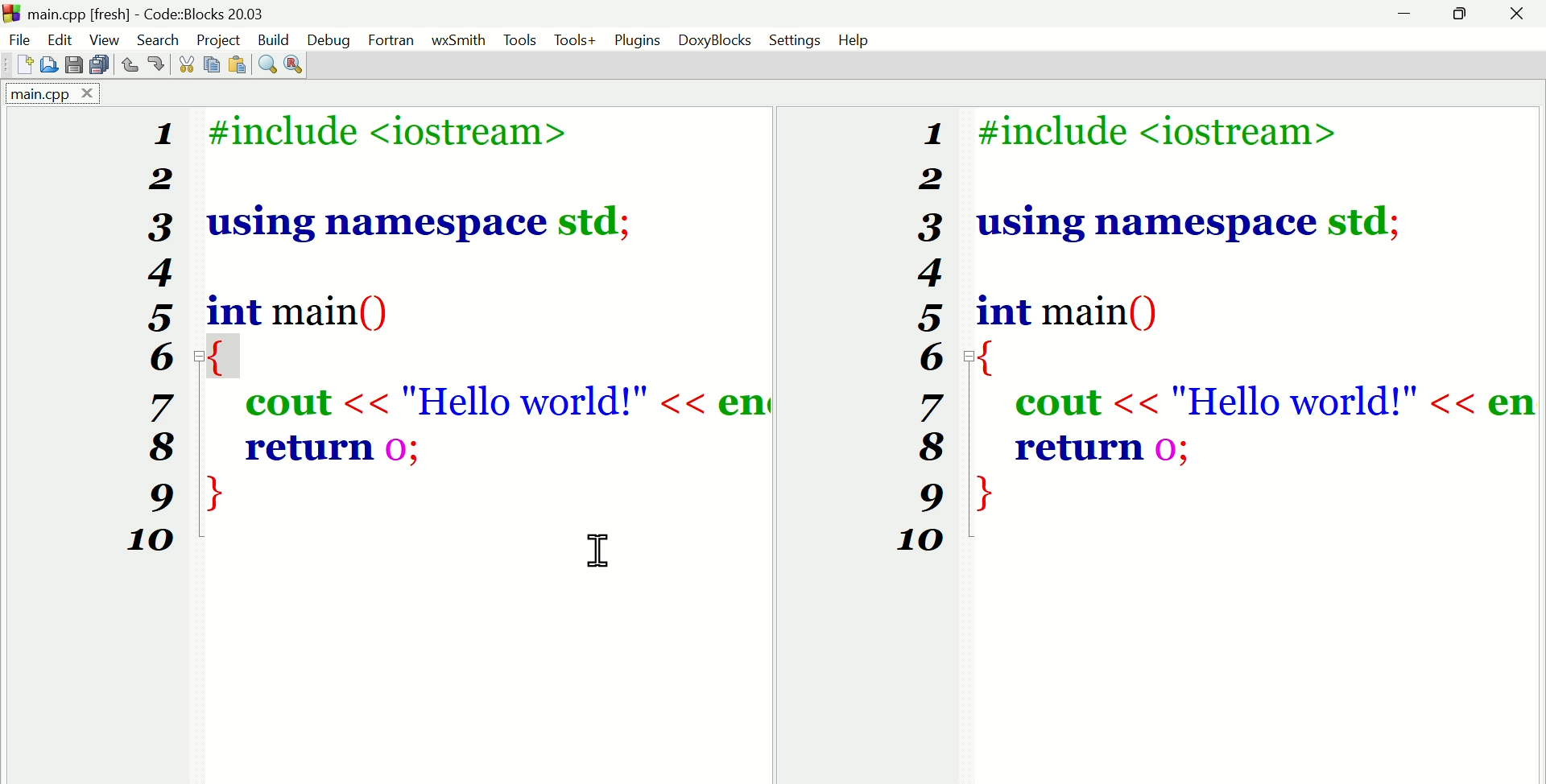 Image resolution: width=1546 pixels, height=784 pixels. What do you see at coordinates (578, 40) in the screenshot?
I see `tools+` at bounding box center [578, 40].